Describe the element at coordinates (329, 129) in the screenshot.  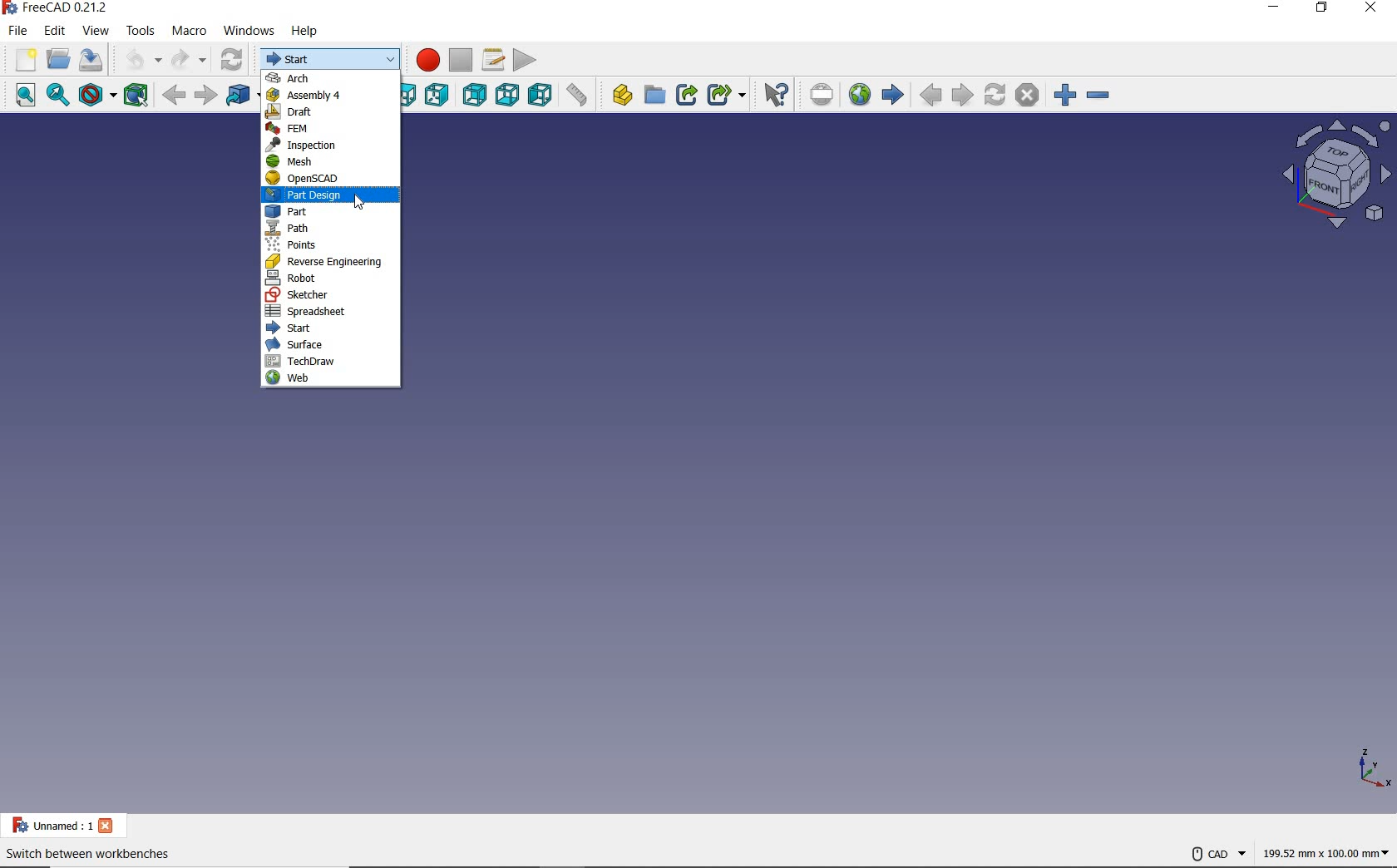
I see `FEM` at that location.